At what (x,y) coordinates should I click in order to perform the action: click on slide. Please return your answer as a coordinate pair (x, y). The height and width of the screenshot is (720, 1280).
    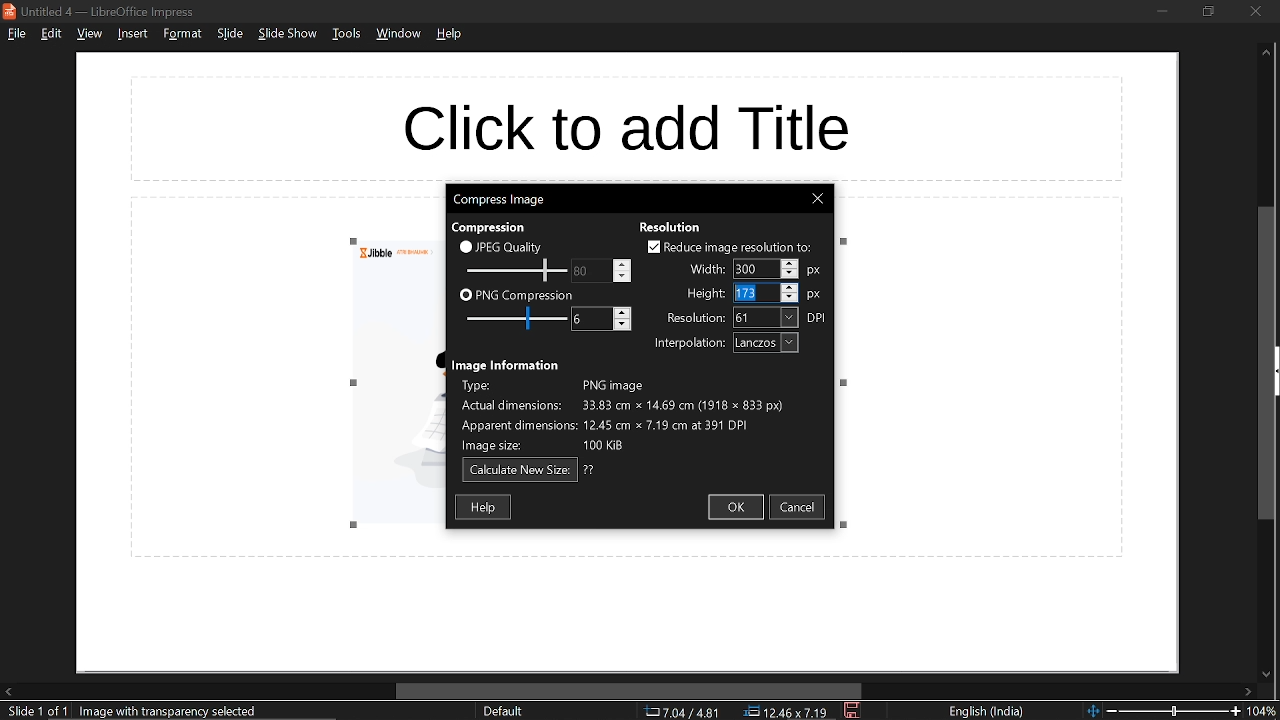
    Looking at the image, I should click on (229, 35).